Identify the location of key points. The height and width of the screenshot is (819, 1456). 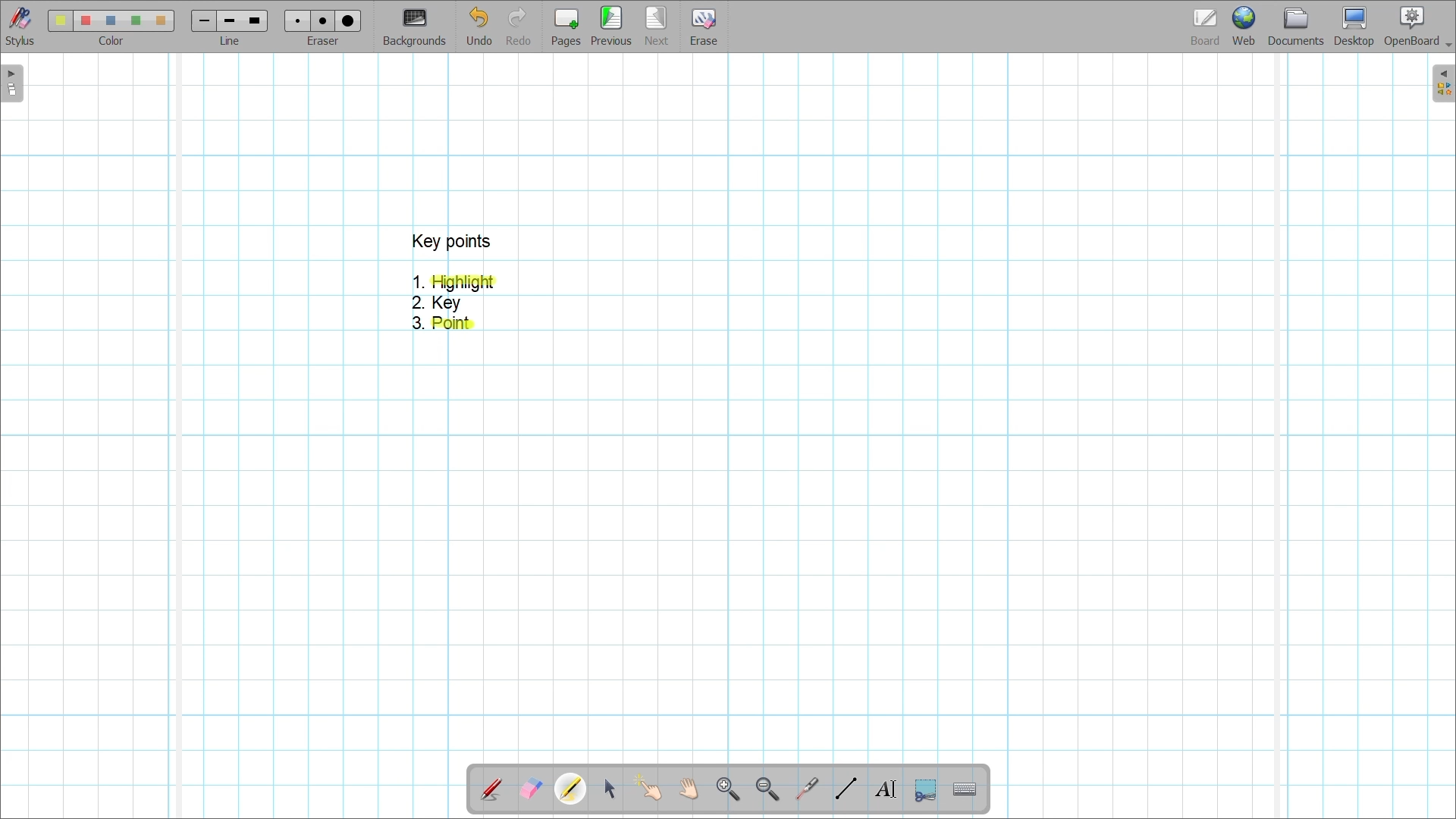
(450, 241).